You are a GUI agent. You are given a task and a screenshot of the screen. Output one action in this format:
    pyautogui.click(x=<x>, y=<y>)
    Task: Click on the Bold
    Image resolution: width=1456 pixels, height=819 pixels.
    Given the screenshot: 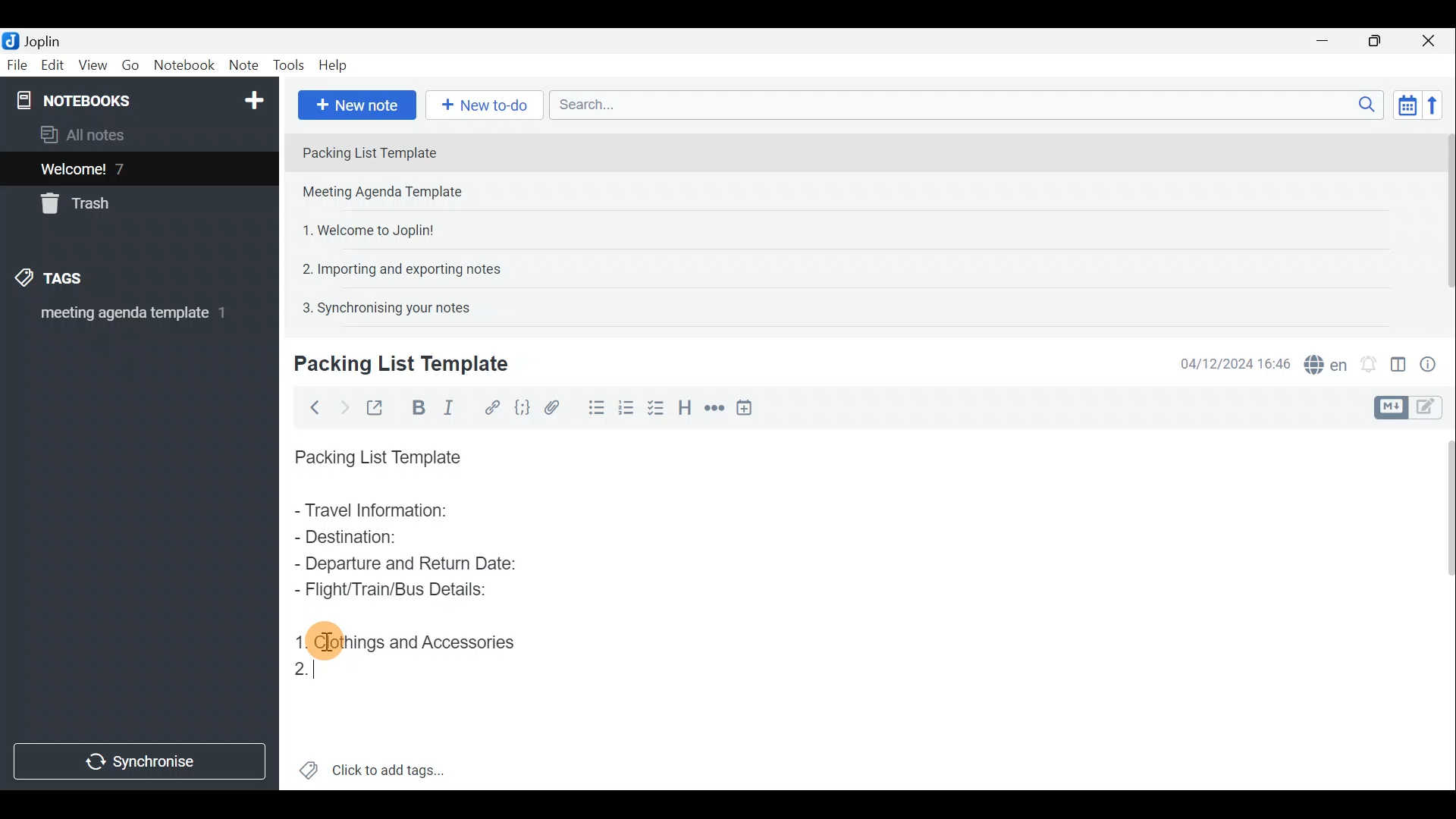 What is the action you would take?
    pyautogui.click(x=416, y=406)
    